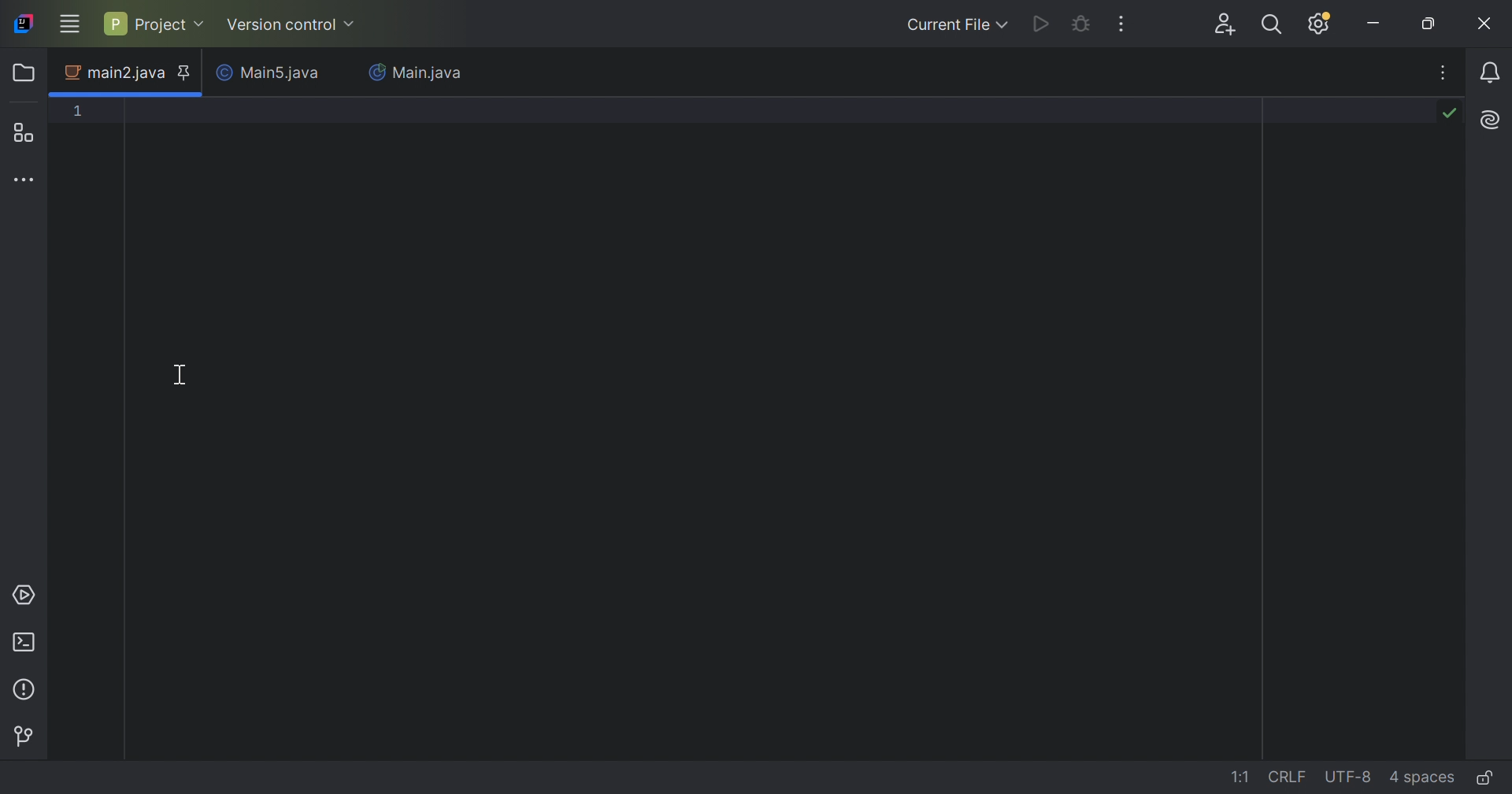 The image size is (1512, 794). Describe the element at coordinates (957, 24) in the screenshot. I see `Current file` at that location.